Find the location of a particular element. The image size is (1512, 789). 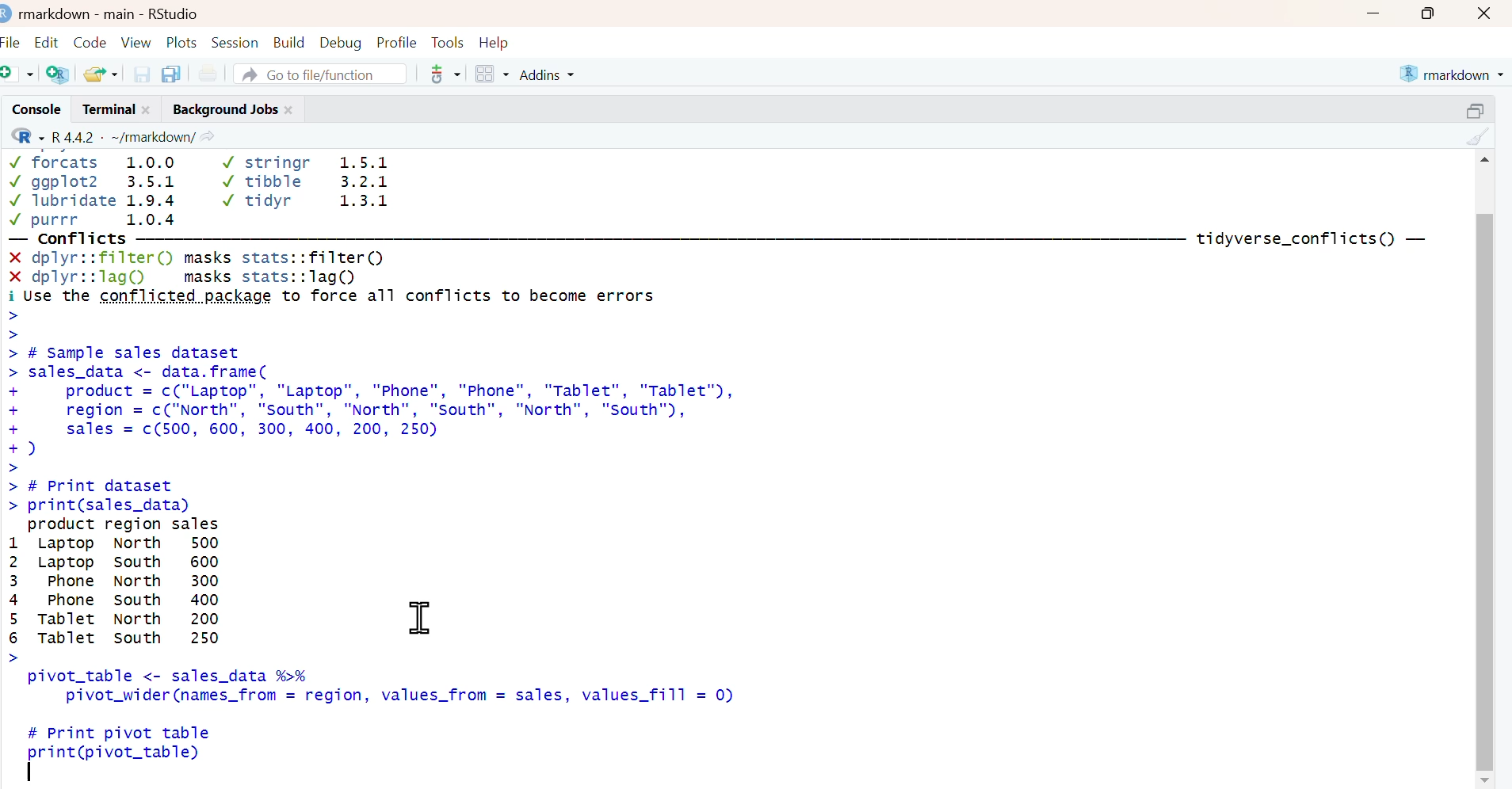

clear console is located at coordinates (1480, 135).